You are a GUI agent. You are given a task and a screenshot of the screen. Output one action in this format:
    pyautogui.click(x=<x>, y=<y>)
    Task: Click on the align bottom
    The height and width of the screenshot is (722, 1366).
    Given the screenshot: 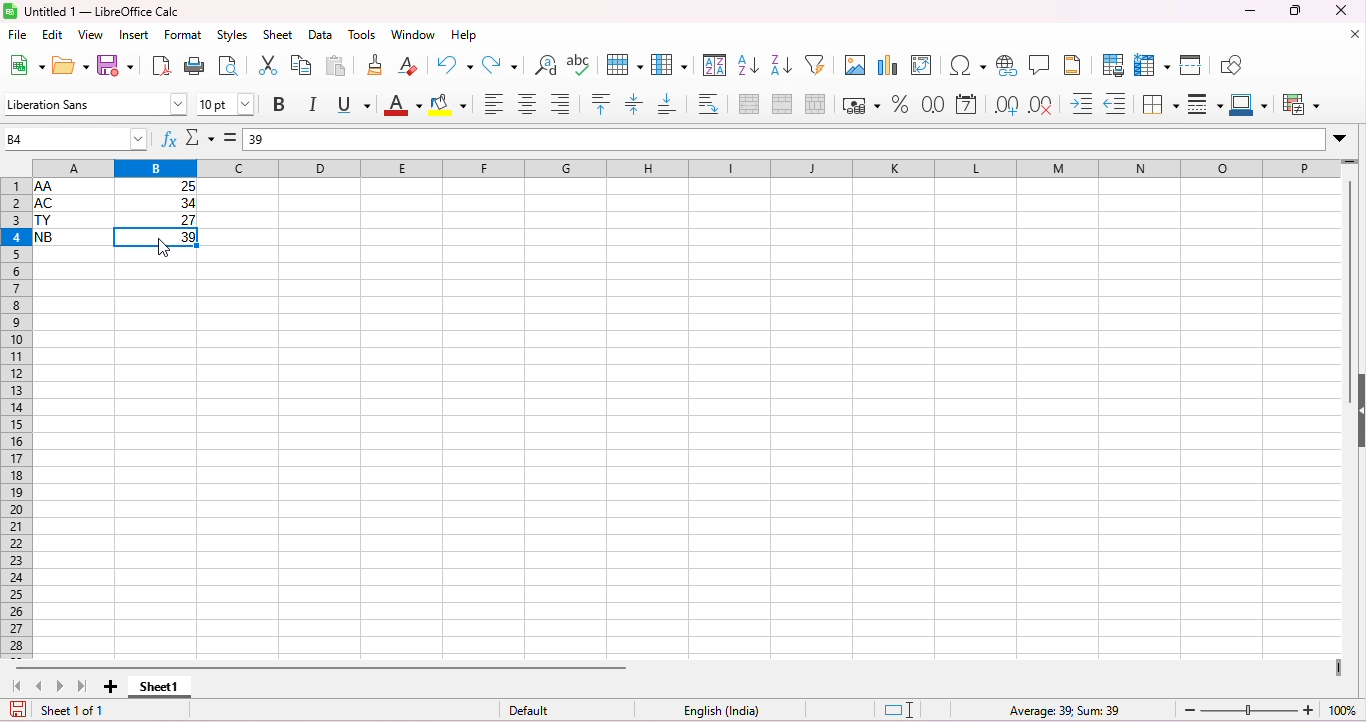 What is the action you would take?
    pyautogui.click(x=668, y=104)
    